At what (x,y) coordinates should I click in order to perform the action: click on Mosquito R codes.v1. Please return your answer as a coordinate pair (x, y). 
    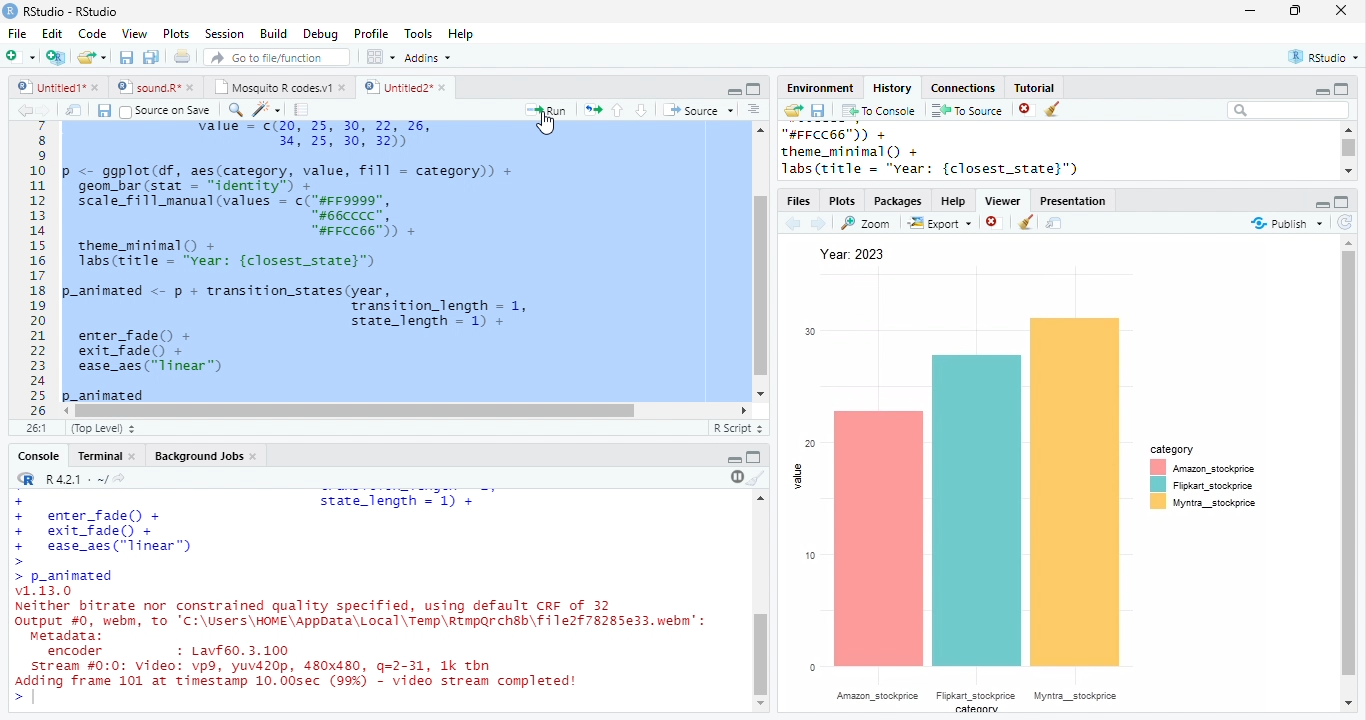
    Looking at the image, I should click on (273, 87).